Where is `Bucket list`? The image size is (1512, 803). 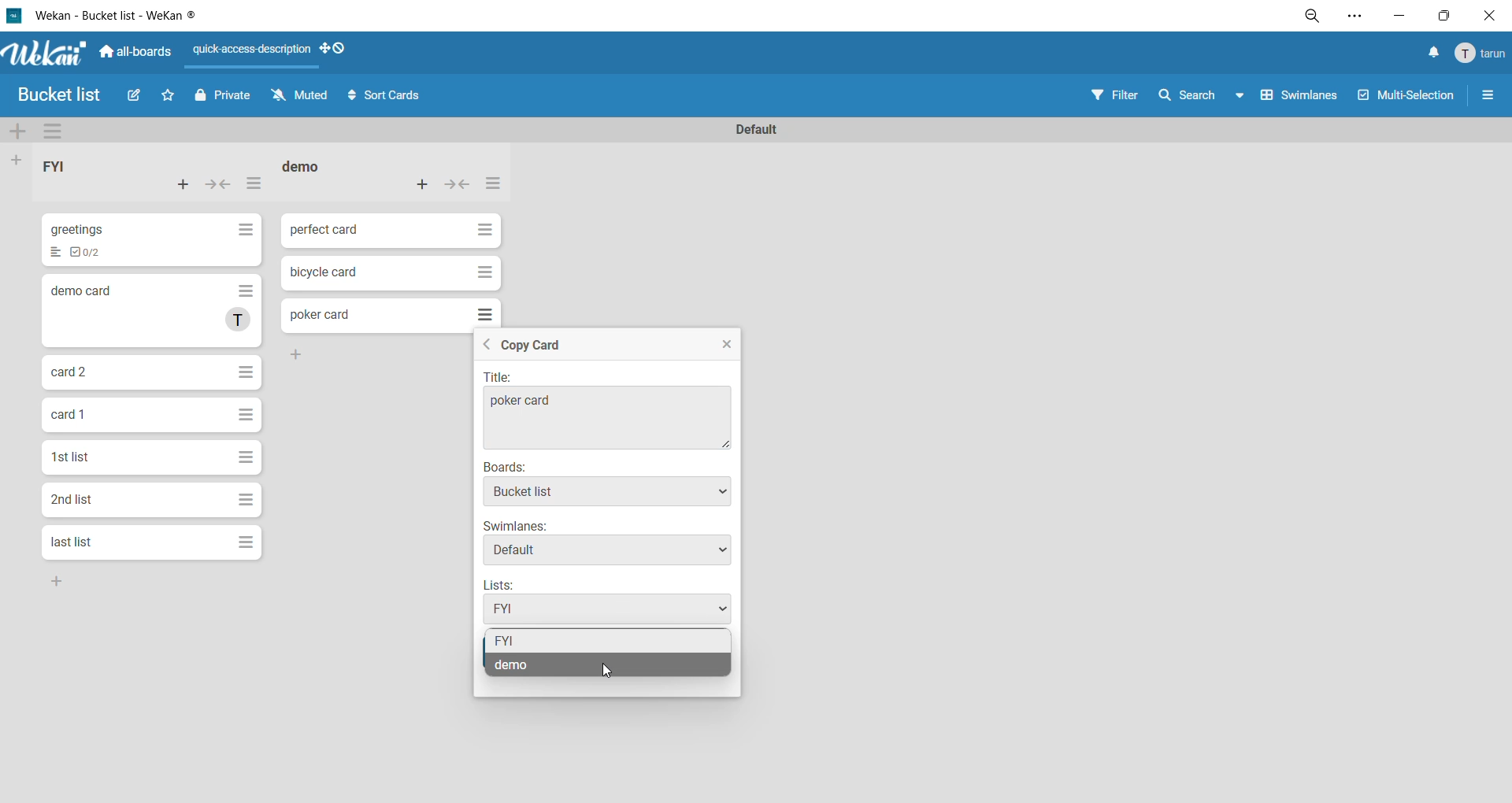 Bucket list is located at coordinates (64, 96).